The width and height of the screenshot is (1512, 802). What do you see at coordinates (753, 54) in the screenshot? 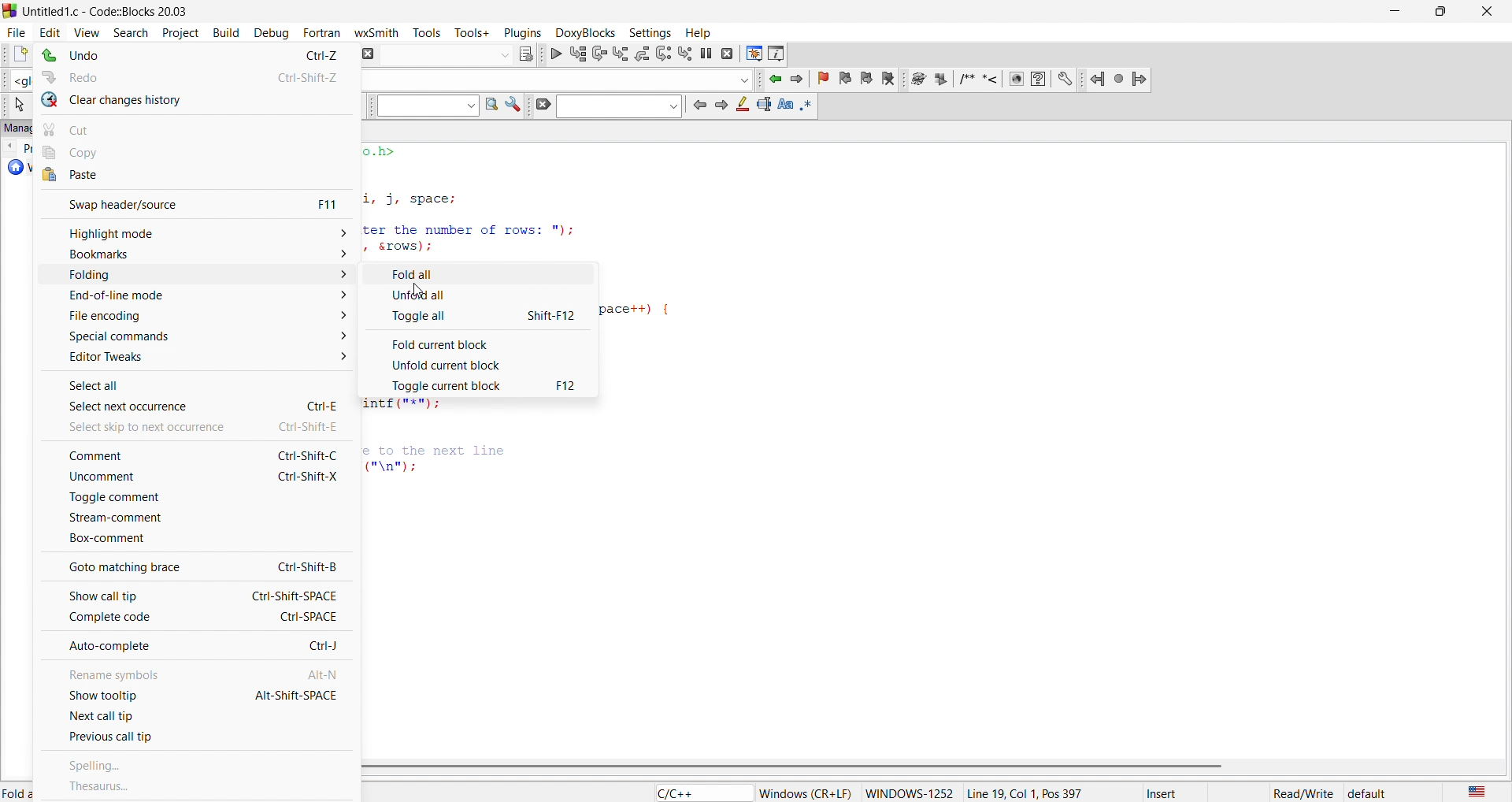
I see `debugging window` at bounding box center [753, 54].